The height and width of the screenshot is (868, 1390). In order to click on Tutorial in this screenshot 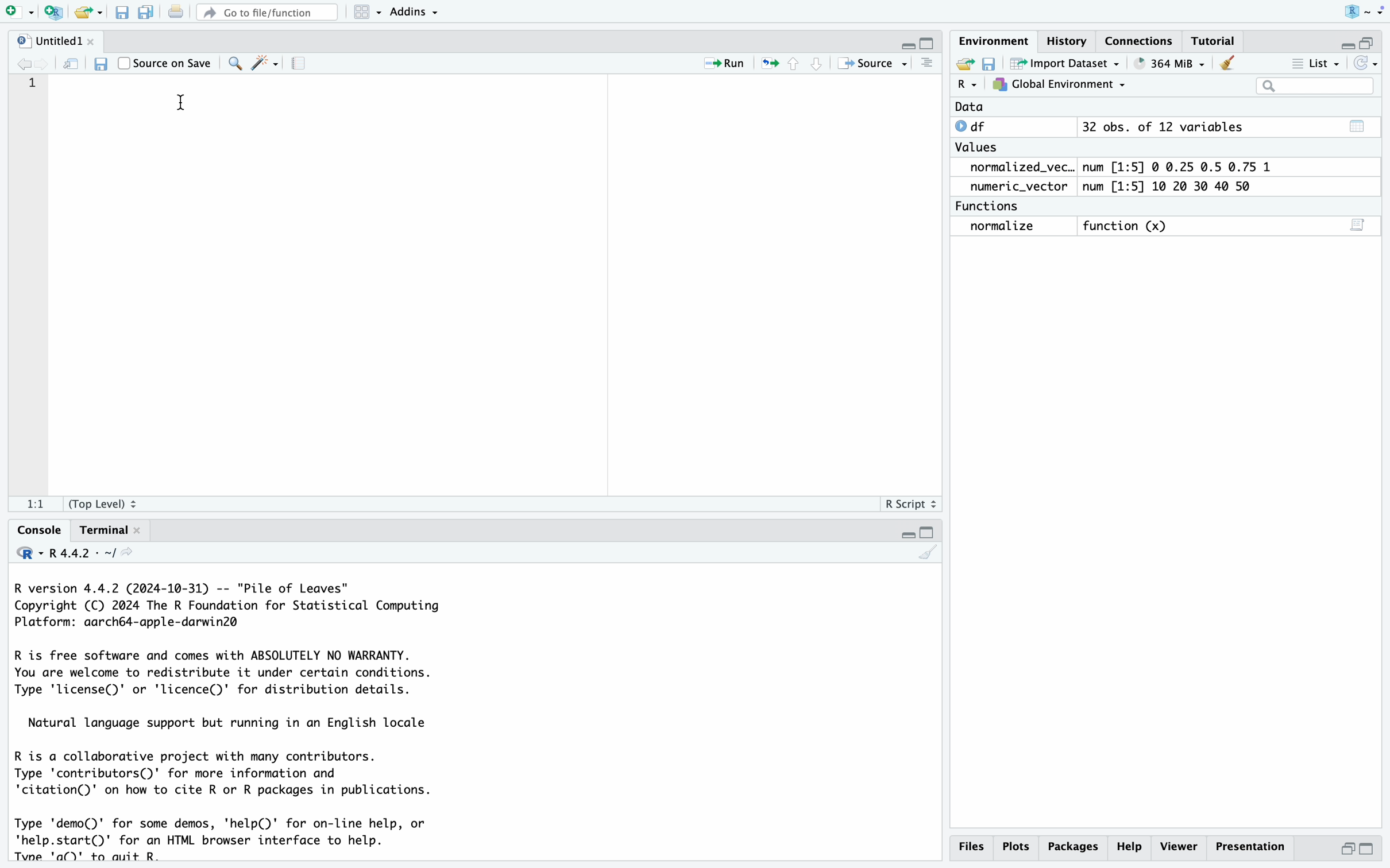, I will do `click(1213, 42)`.